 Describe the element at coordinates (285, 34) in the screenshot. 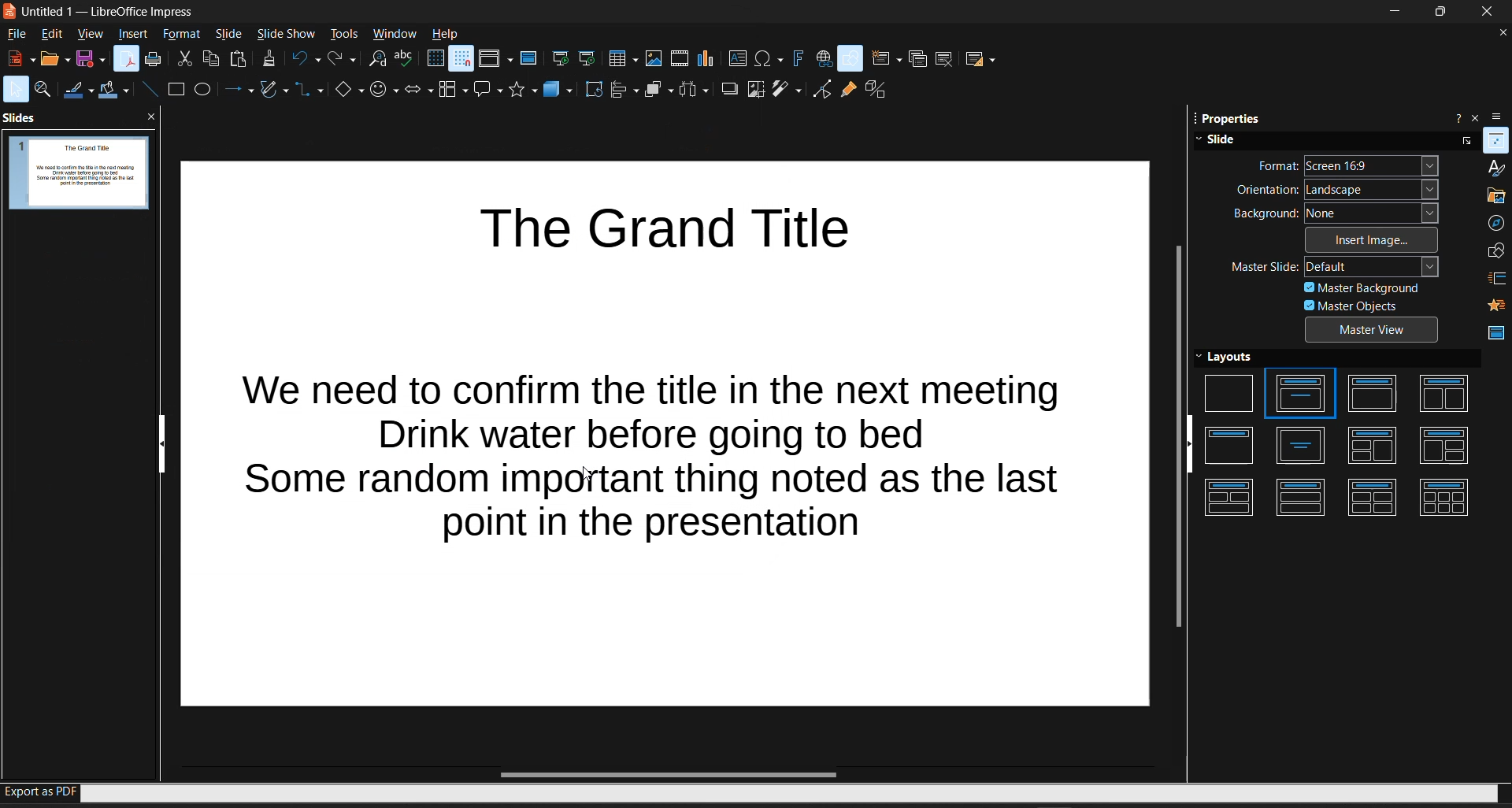

I see `slideshow` at that location.